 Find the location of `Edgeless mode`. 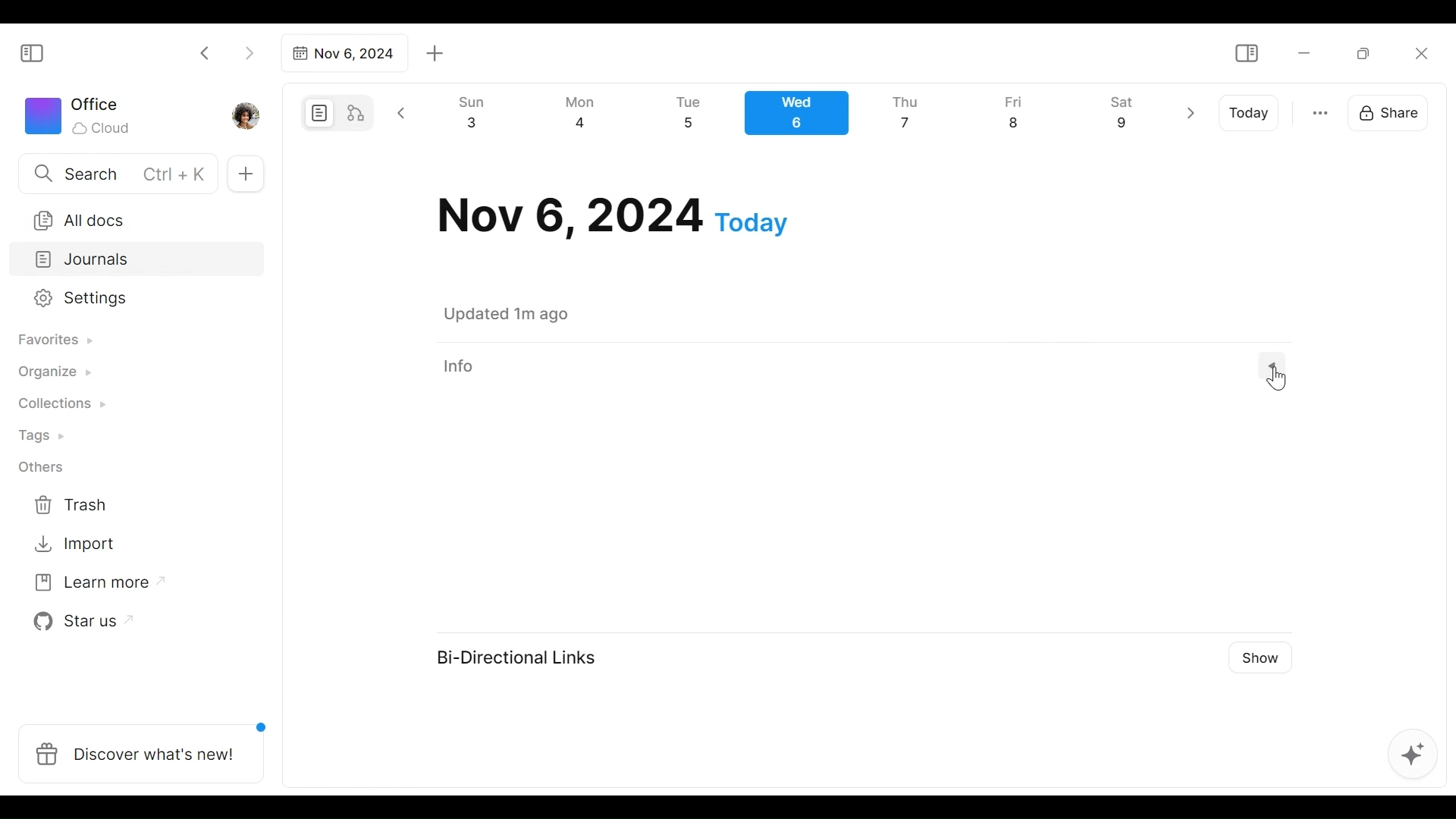

Edgeless mode is located at coordinates (357, 112).